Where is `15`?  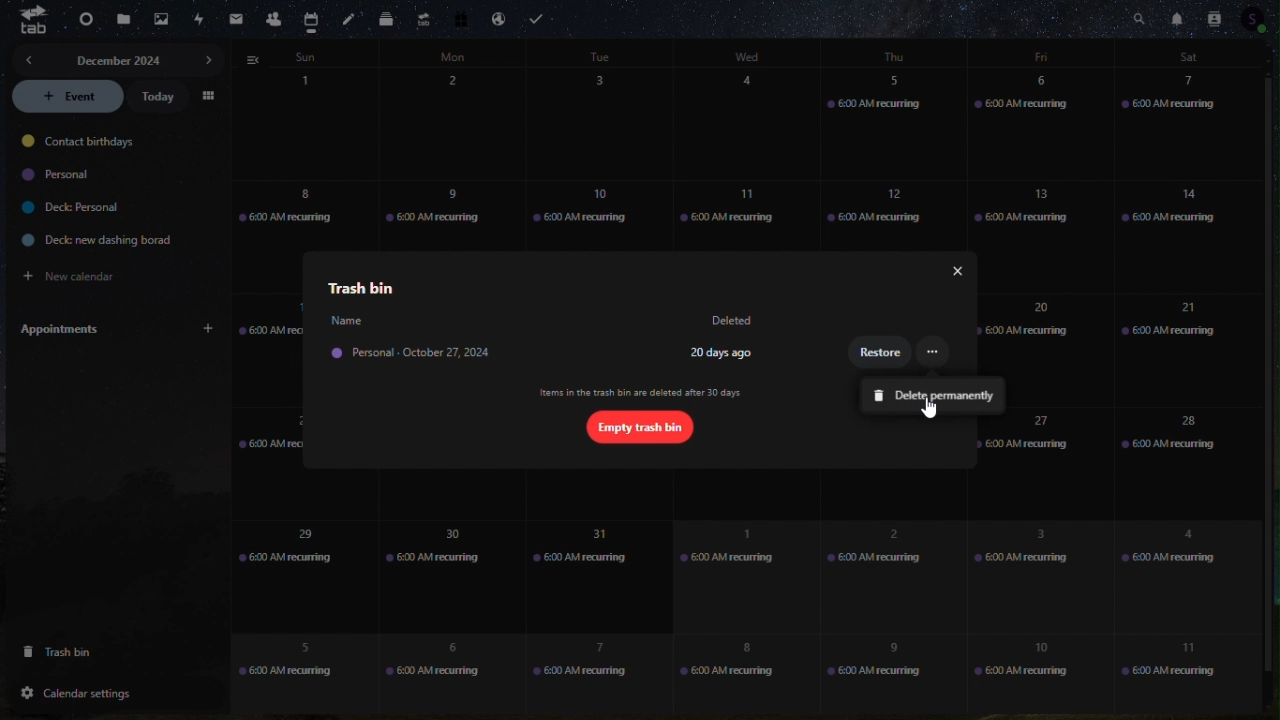 15 is located at coordinates (267, 349).